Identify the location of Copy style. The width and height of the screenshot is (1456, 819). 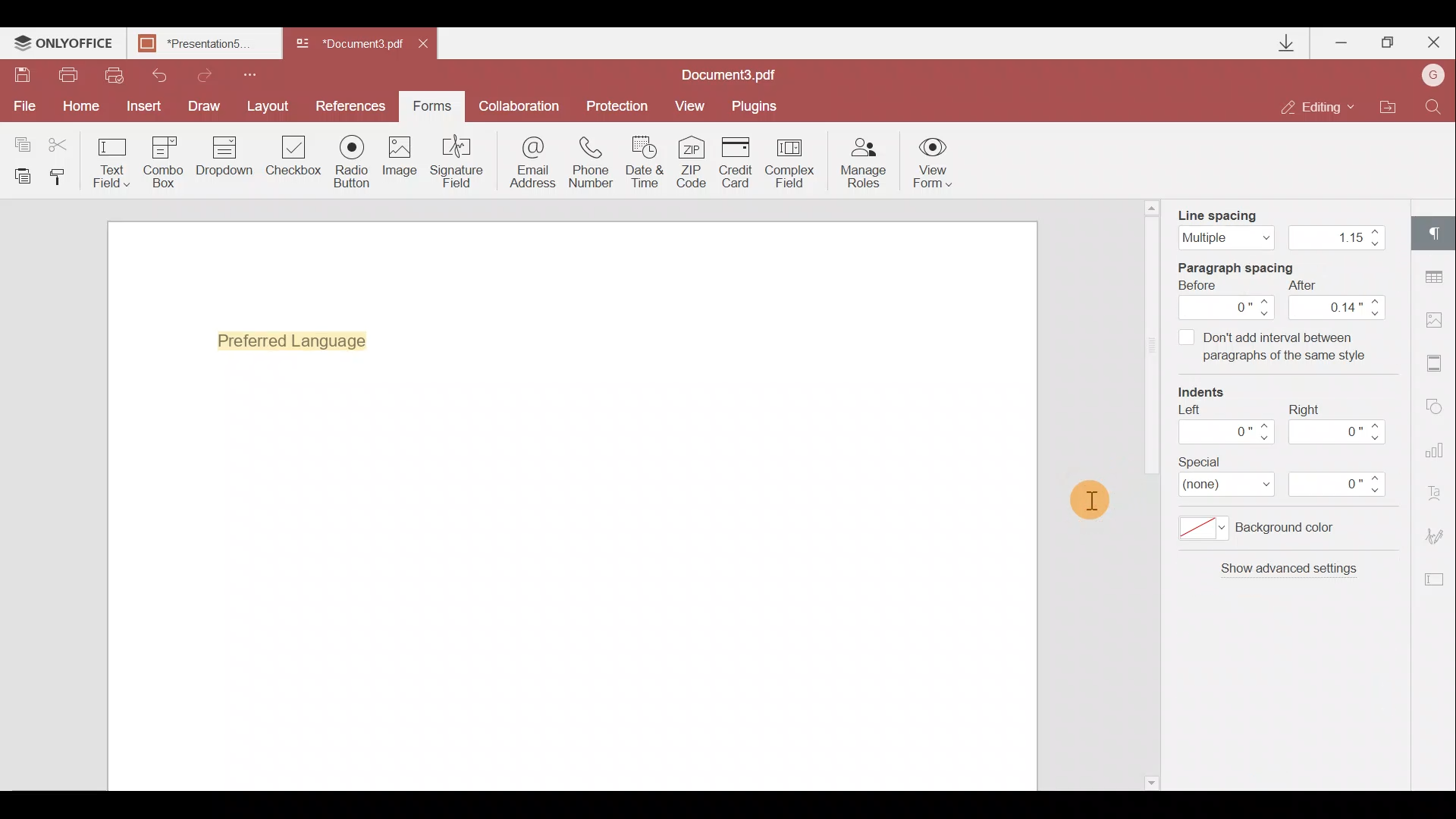
(62, 176).